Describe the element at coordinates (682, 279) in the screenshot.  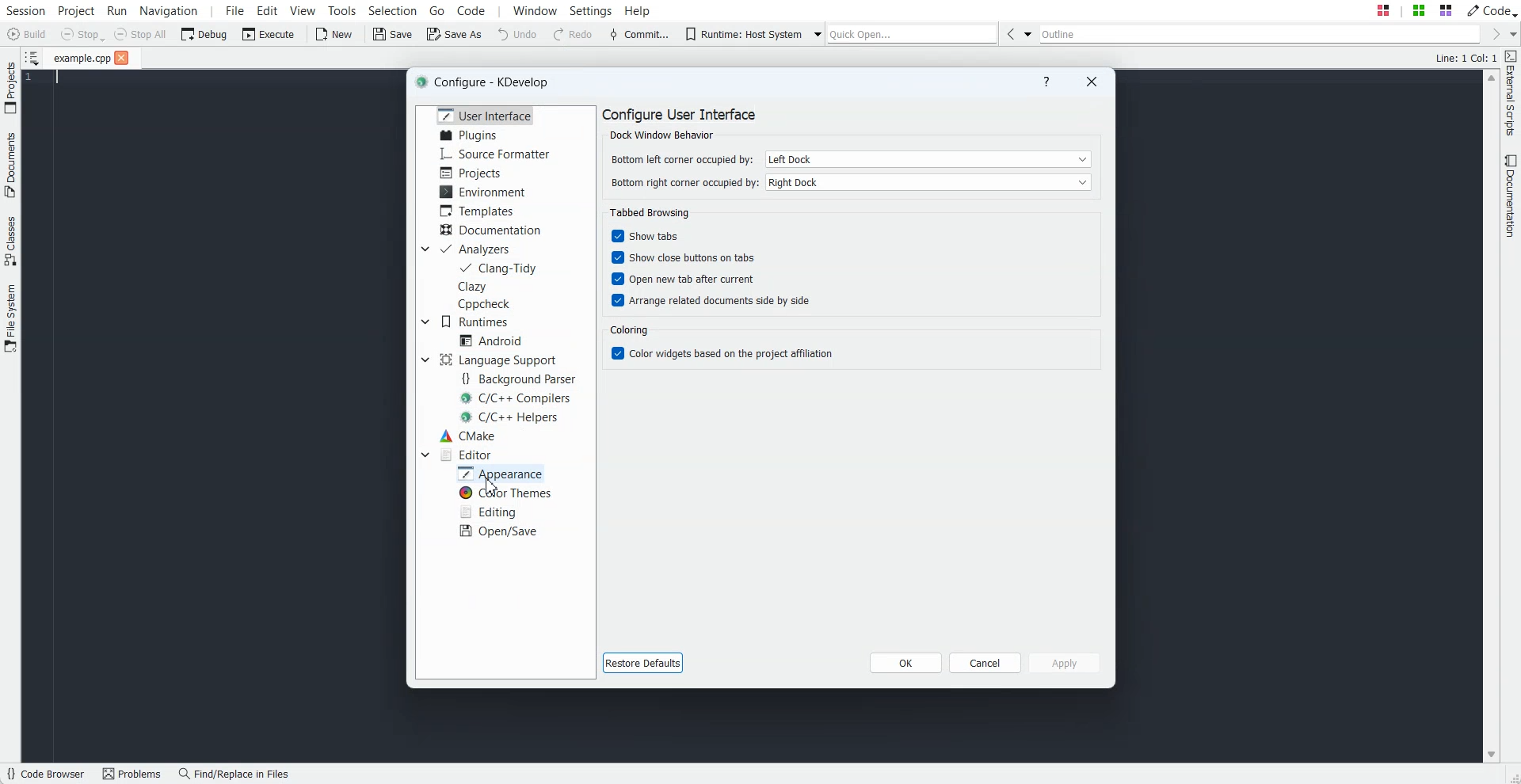
I see `Enable Open new tab after current` at that location.